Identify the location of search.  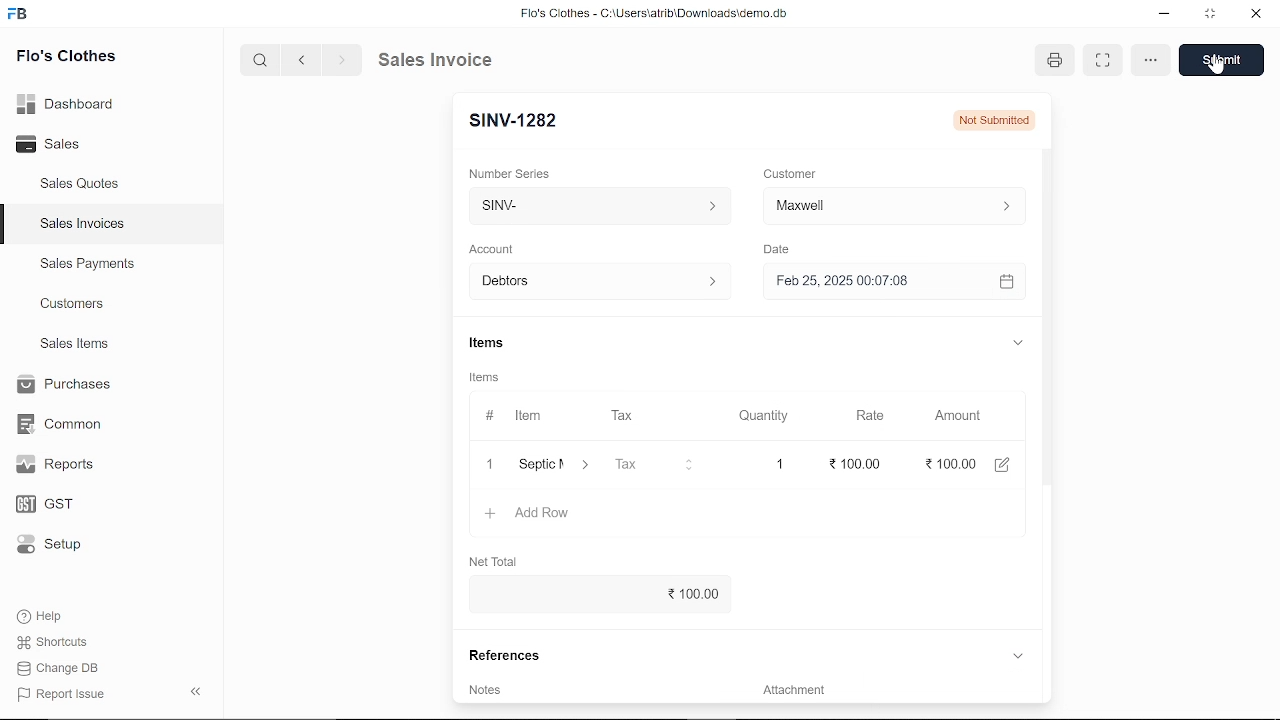
(263, 61).